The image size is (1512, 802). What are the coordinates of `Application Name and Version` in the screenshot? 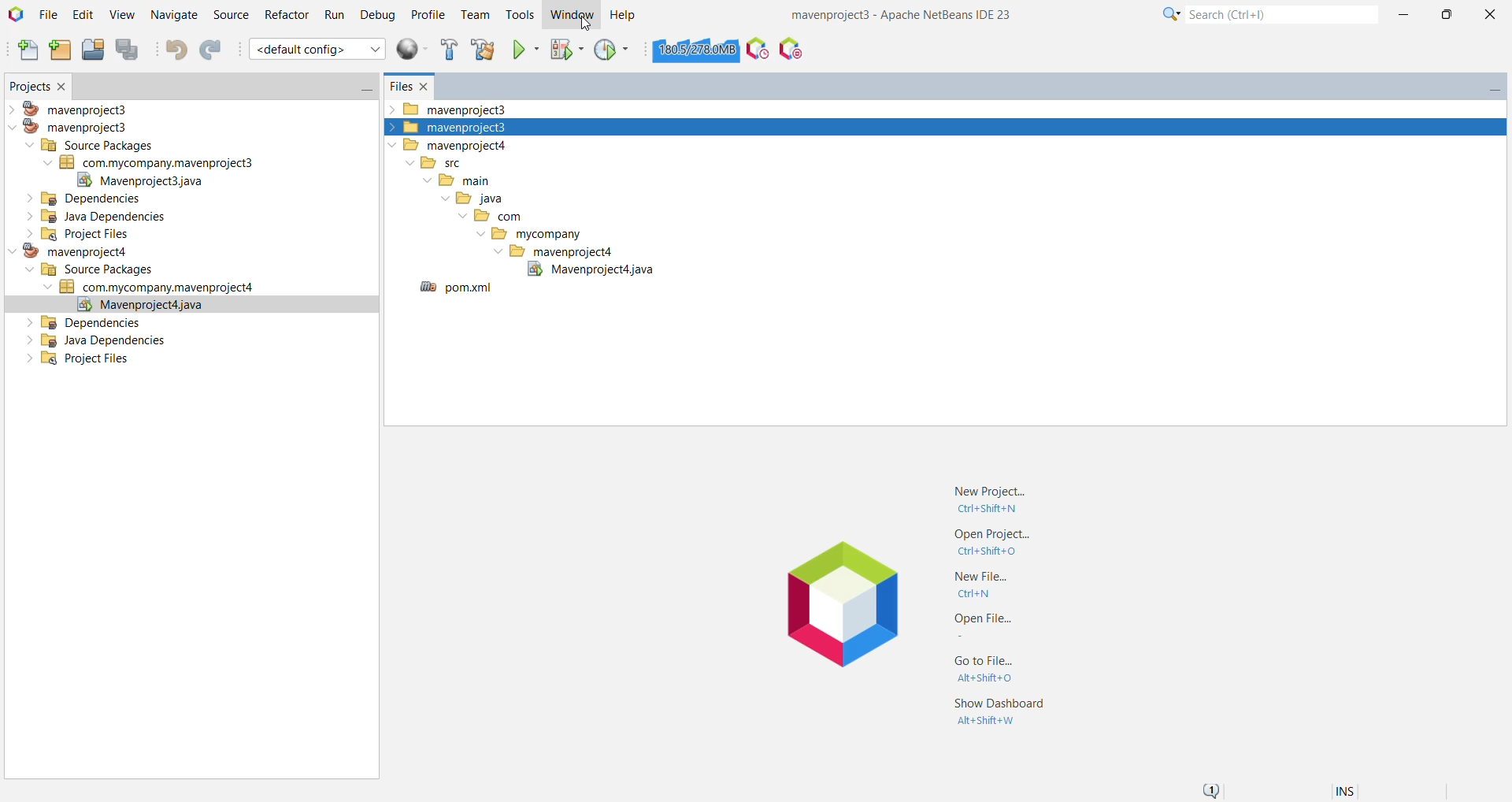 It's located at (903, 16).